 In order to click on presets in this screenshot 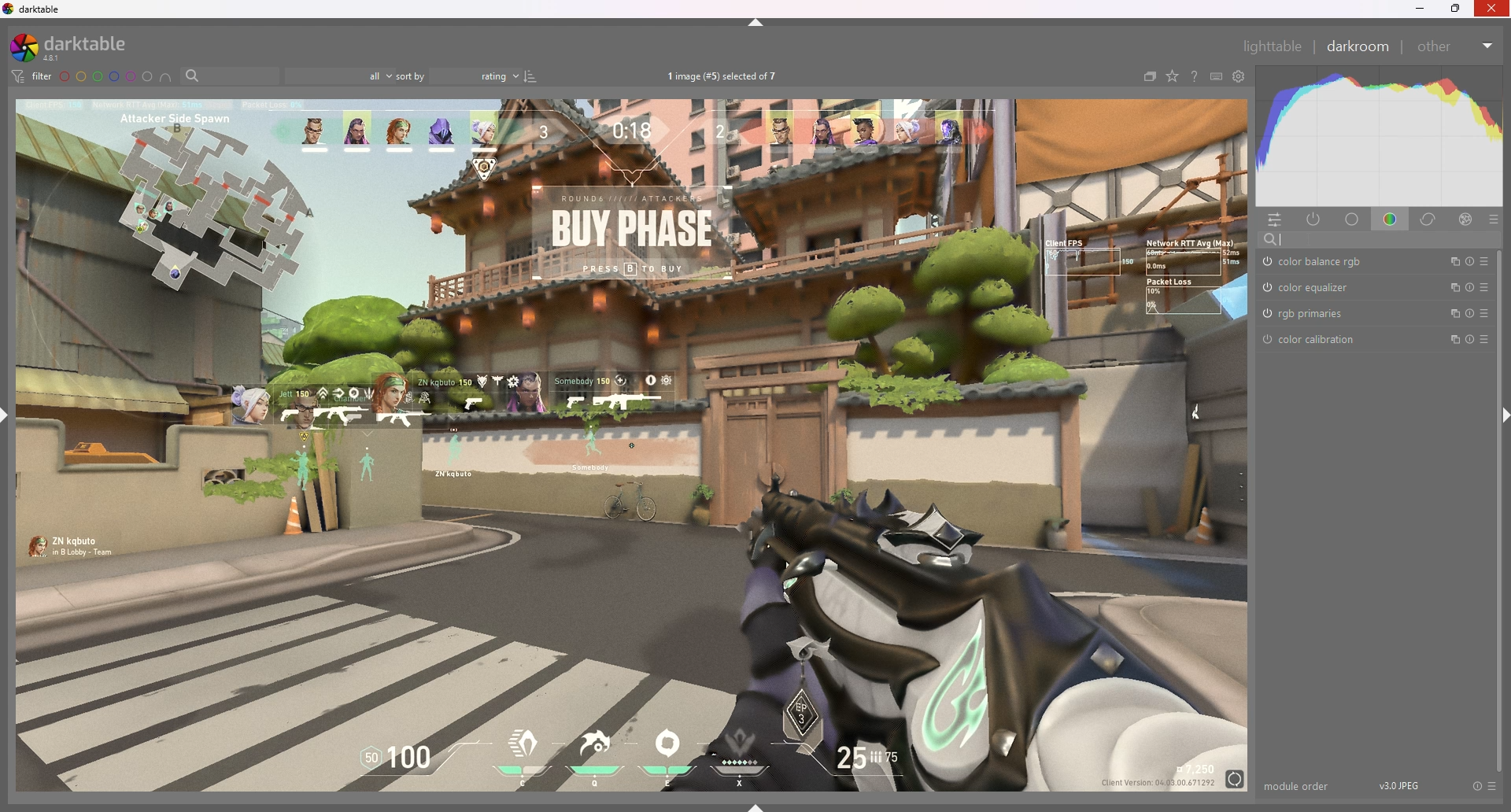, I will do `click(1494, 787)`.